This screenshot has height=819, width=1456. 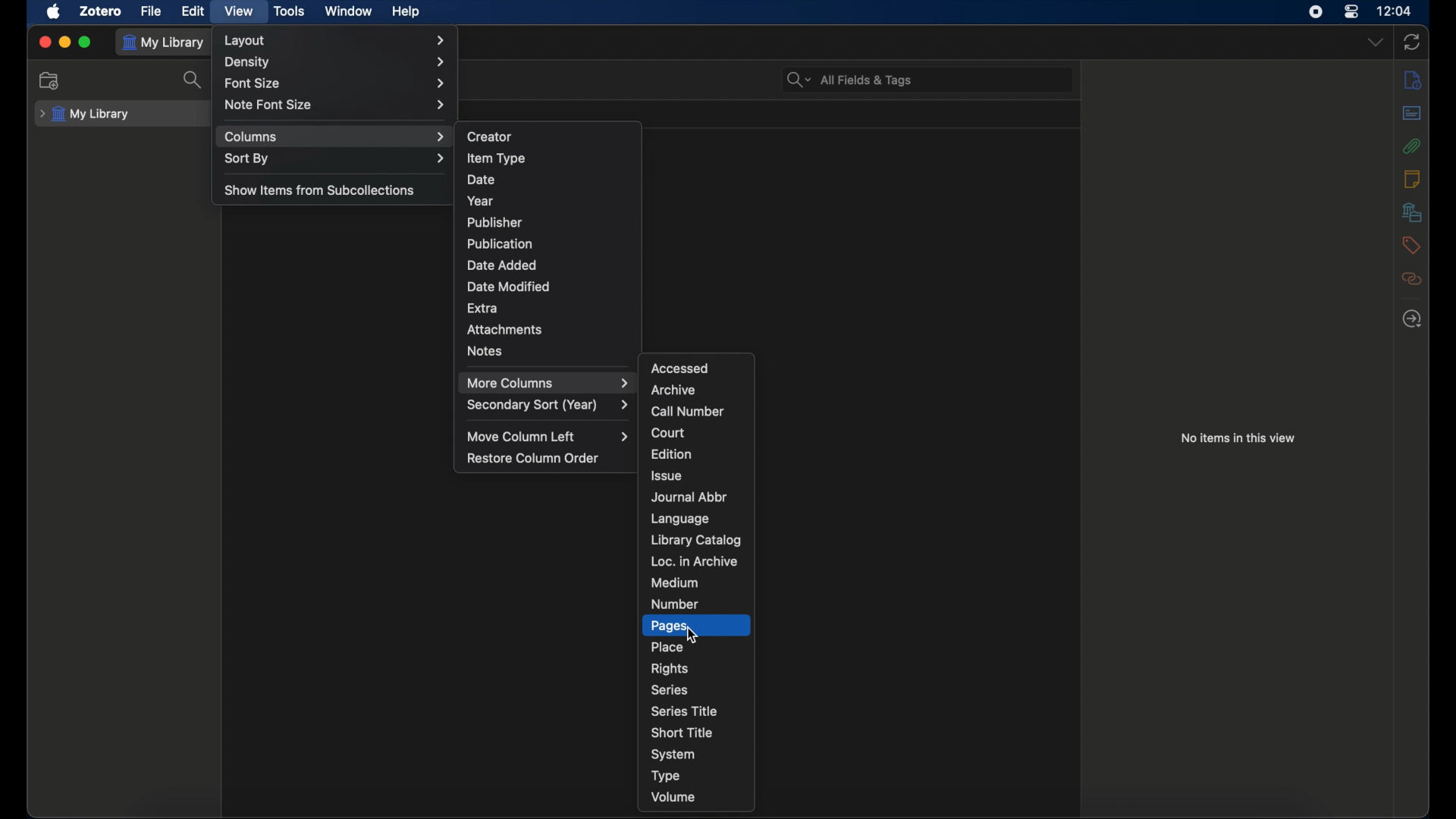 What do you see at coordinates (64, 42) in the screenshot?
I see `minimize` at bounding box center [64, 42].